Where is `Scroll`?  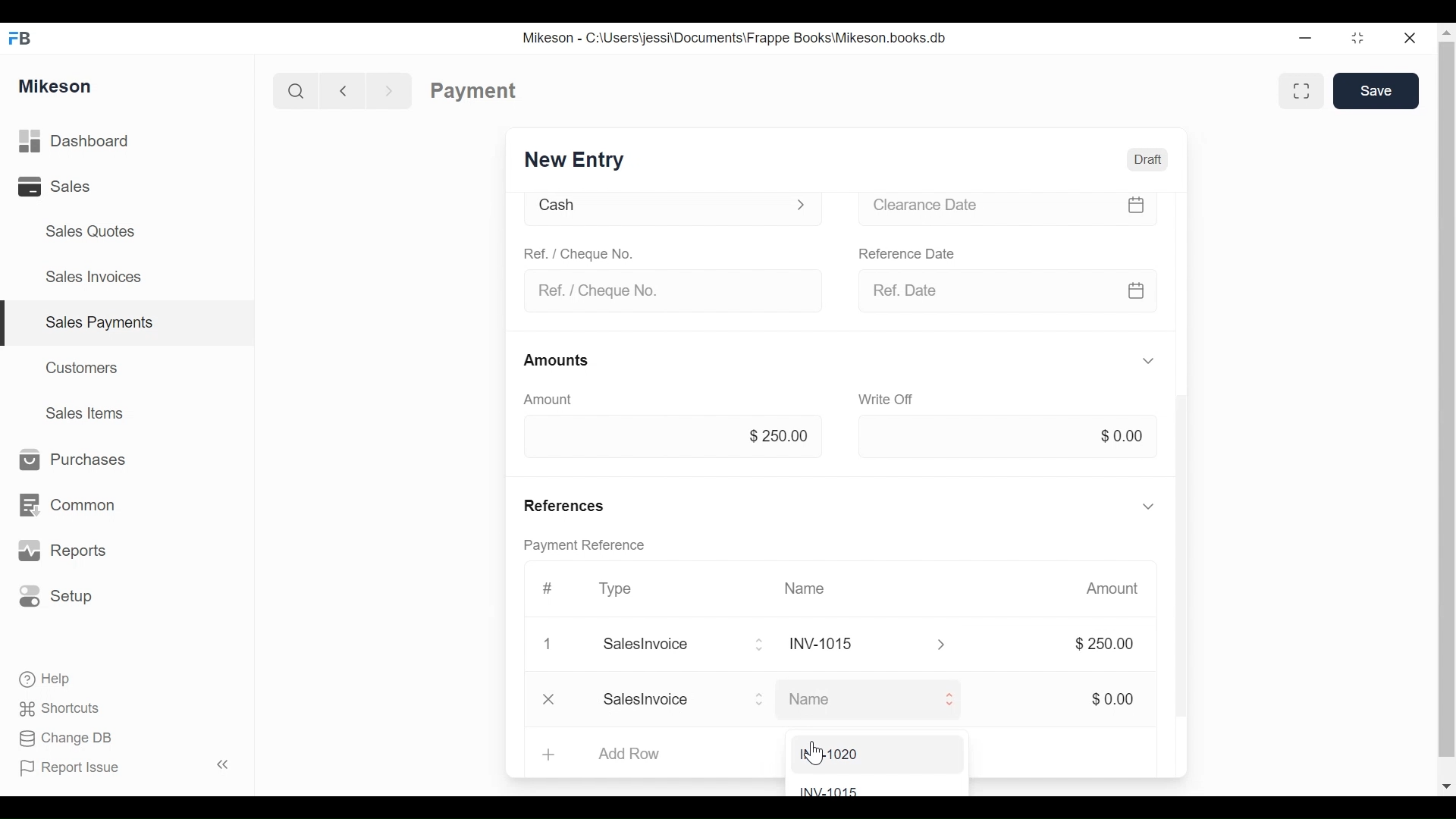 Scroll is located at coordinates (1446, 409).